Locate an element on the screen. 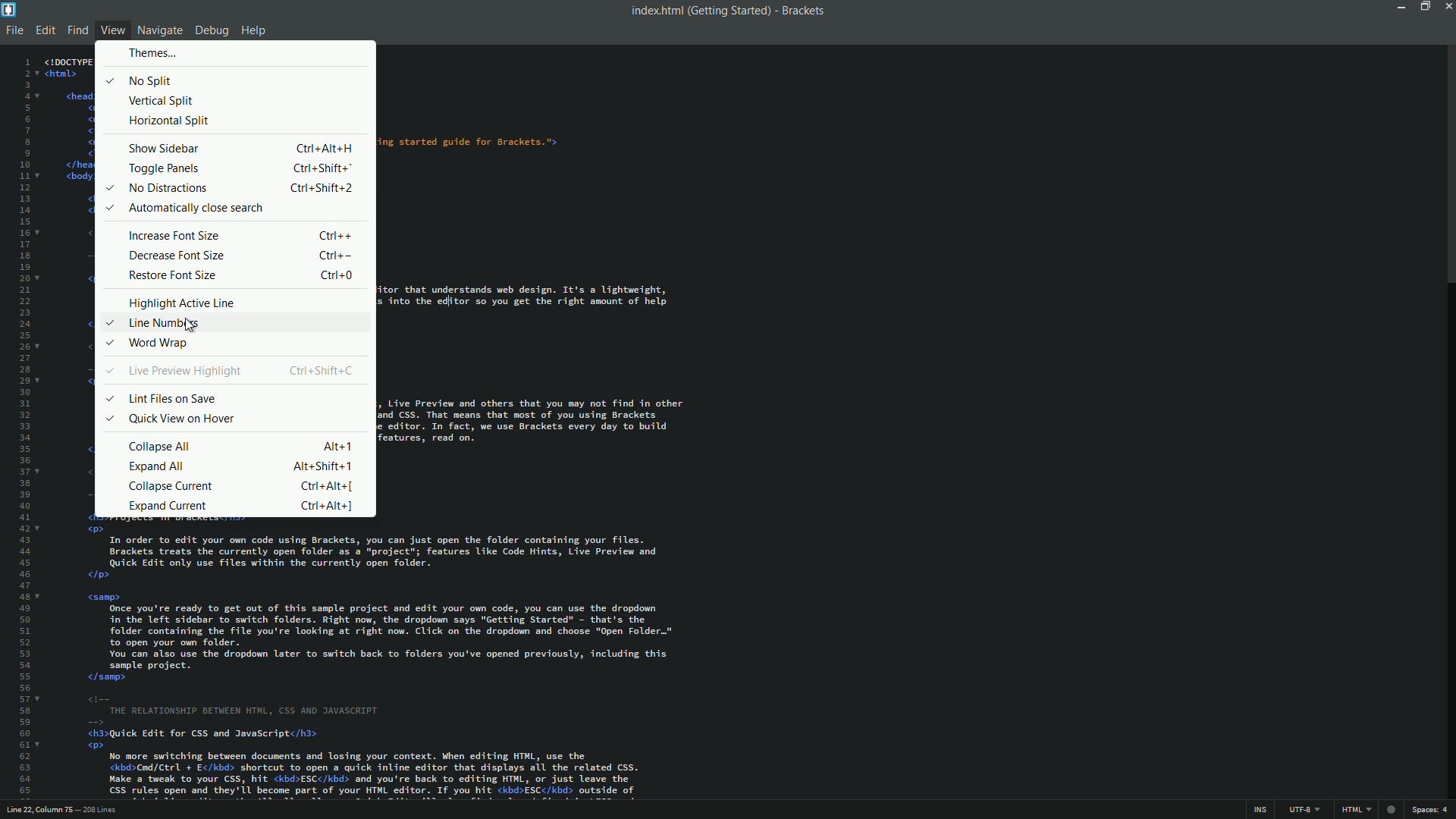 The width and height of the screenshot is (1456, 819). Toggle Panels Ctrl+Shift+' is located at coordinates (242, 168).